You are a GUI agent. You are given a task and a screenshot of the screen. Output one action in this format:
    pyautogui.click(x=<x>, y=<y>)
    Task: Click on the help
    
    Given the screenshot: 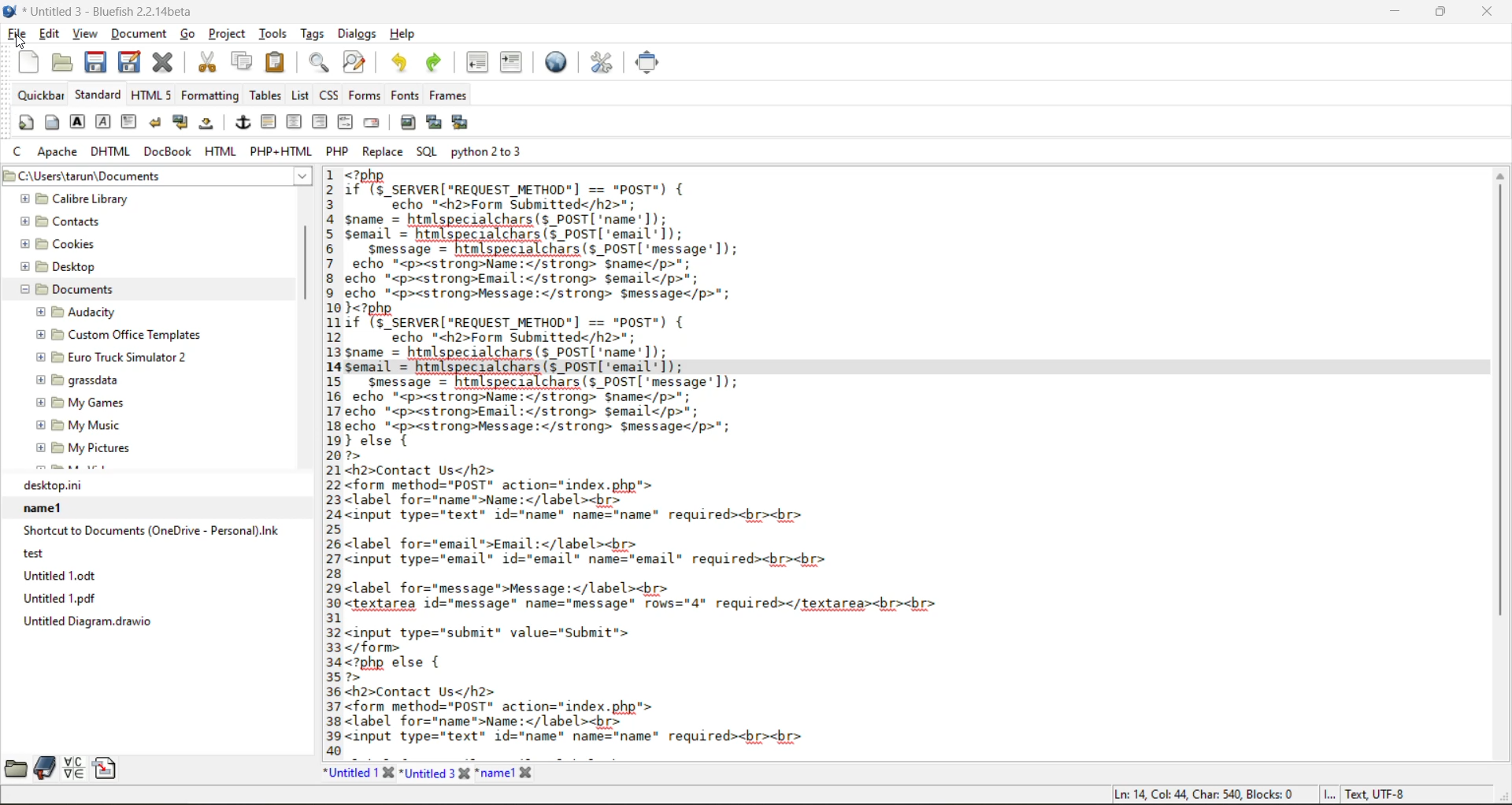 What is the action you would take?
    pyautogui.click(x=402, y=34)
    